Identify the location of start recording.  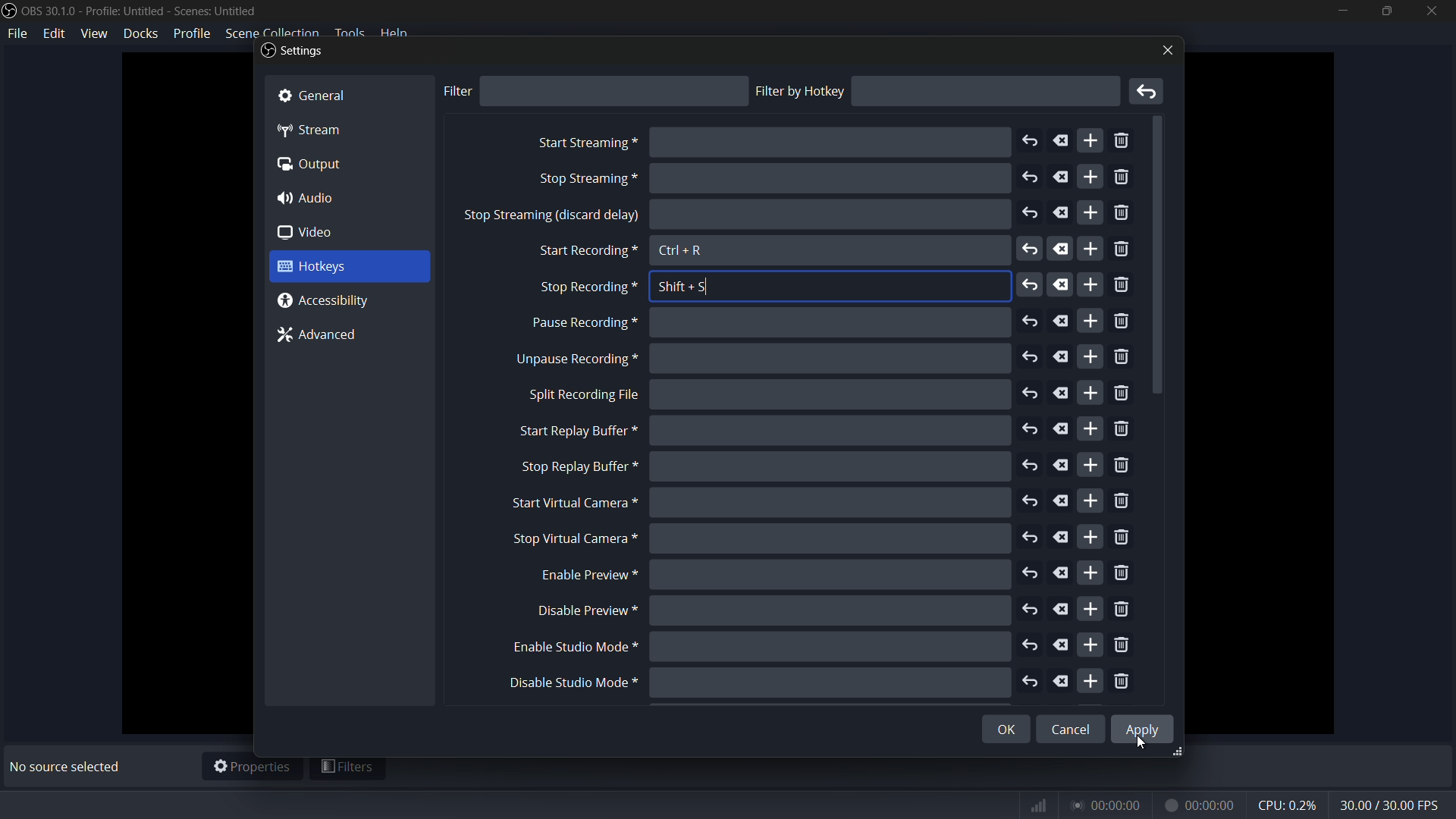
(585, 252).